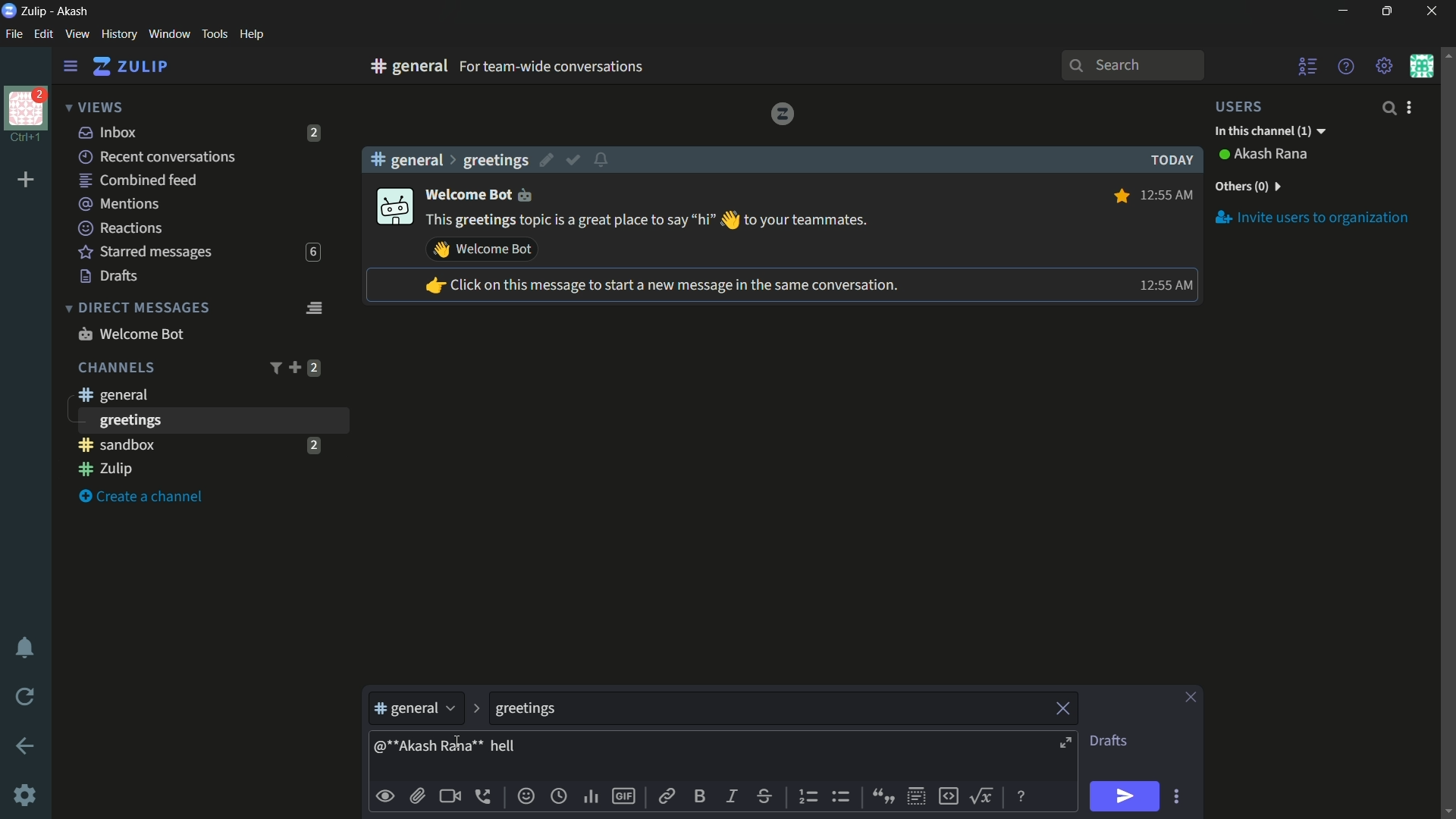  What do you see at coordinates (1429, 11) in the screenshot?
I see `close app` at bounding box center [1429, 11].